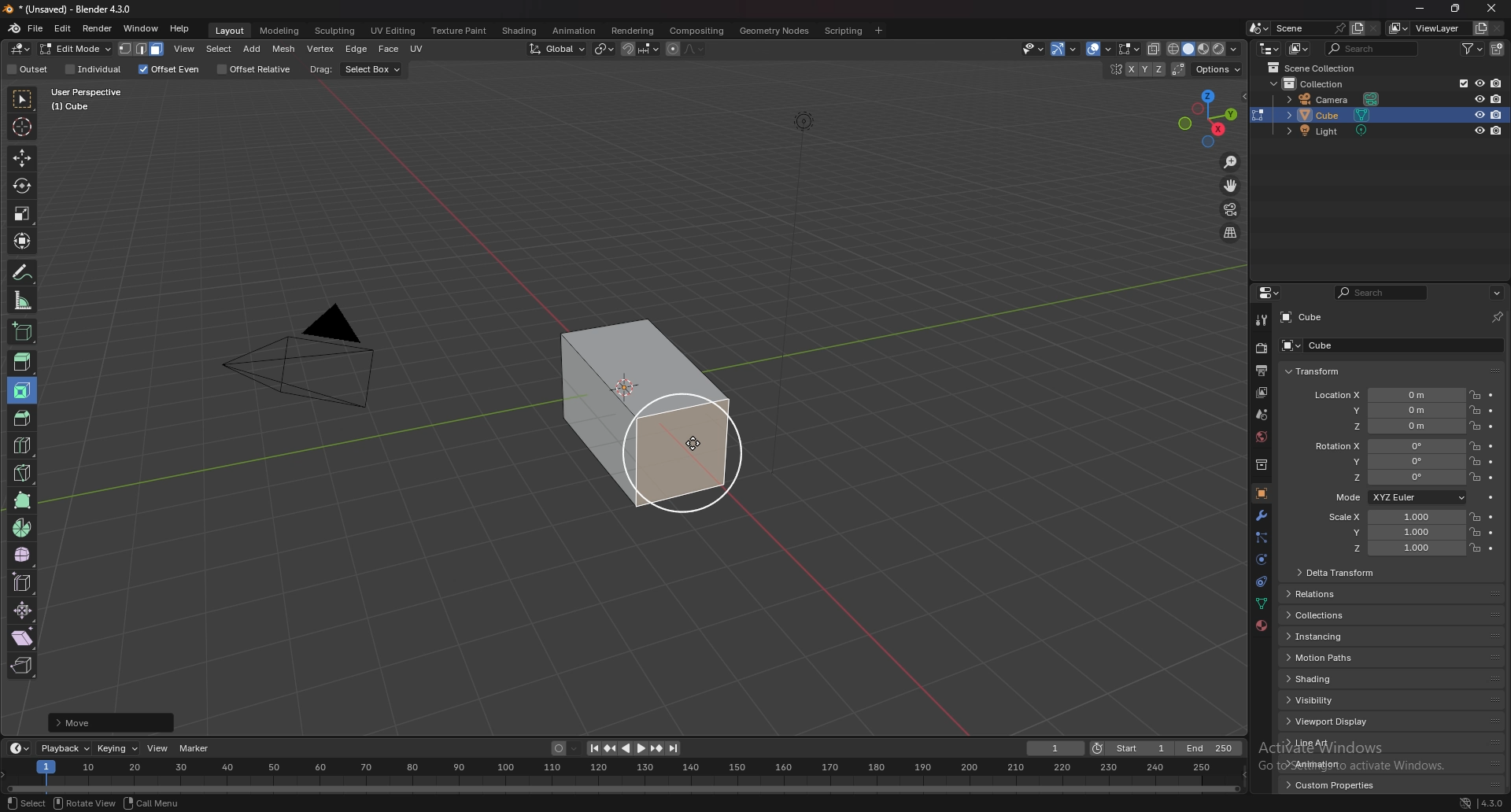 The image size is (1511, 812). Describe the element at coordinates (1312, 345) in the screenshot. I see `cube` at that location.